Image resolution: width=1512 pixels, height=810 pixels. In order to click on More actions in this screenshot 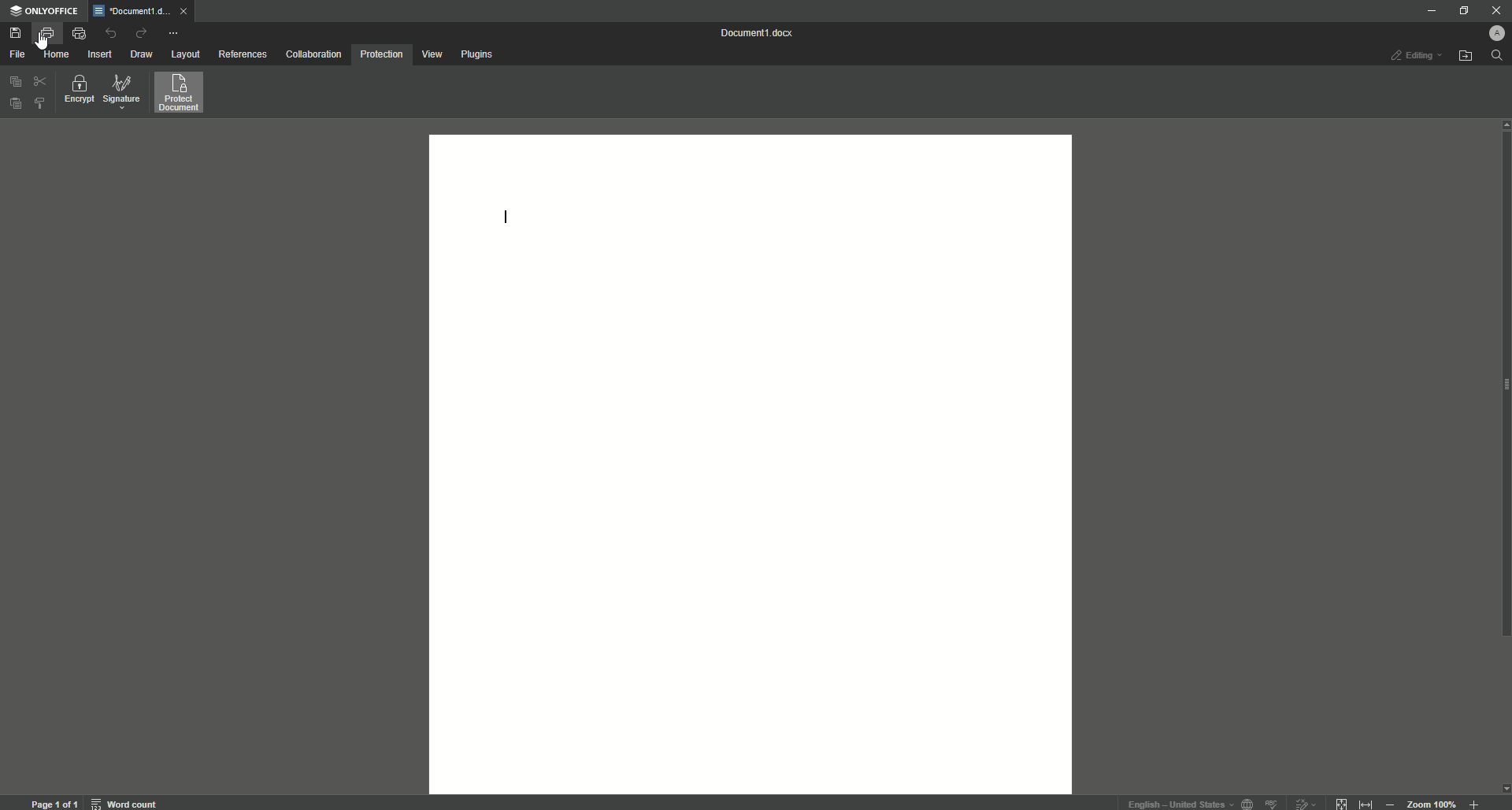, I will do `click(176, 32)`.